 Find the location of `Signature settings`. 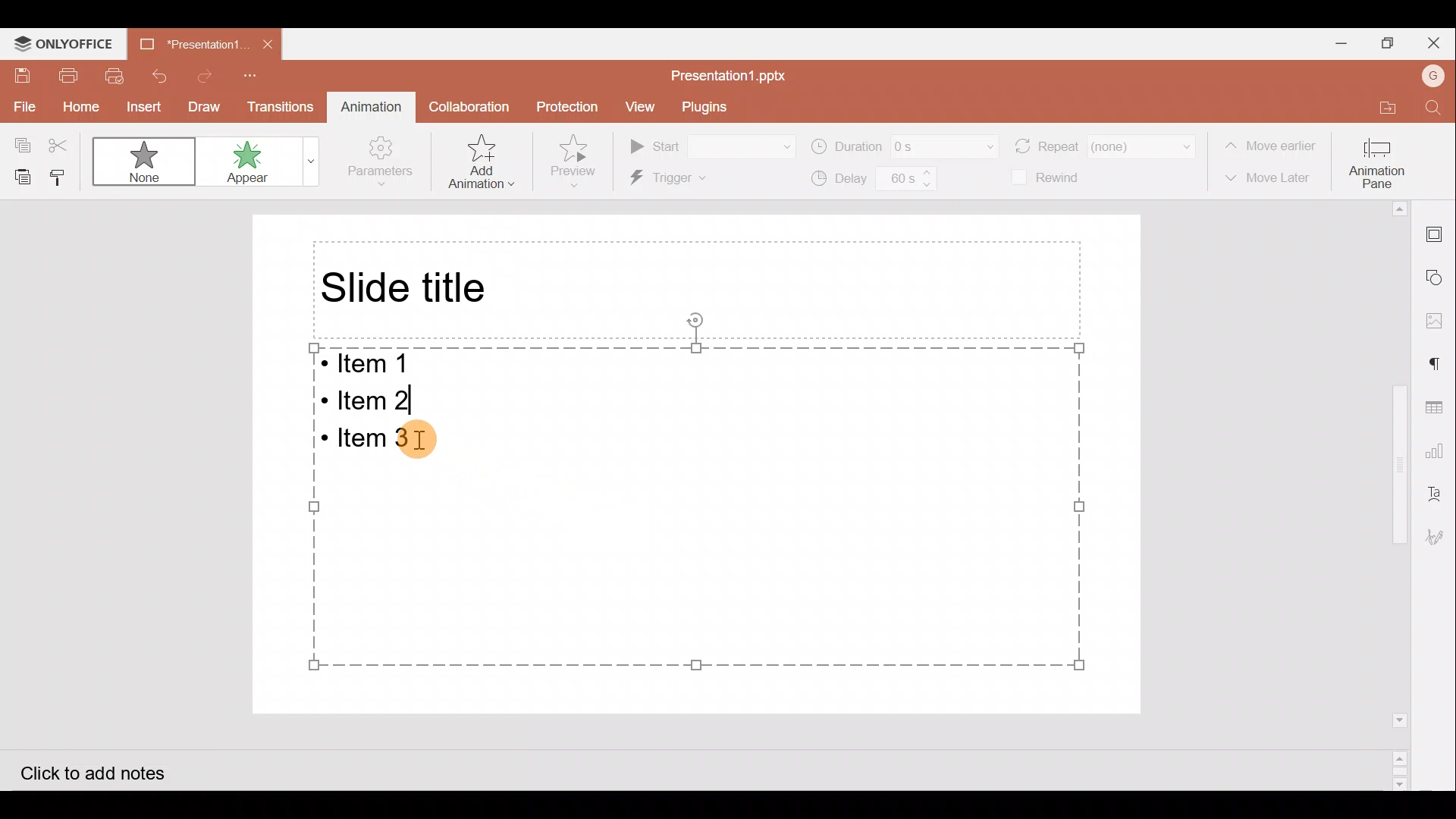

Signature settings is located at coordinates (1441, 541).